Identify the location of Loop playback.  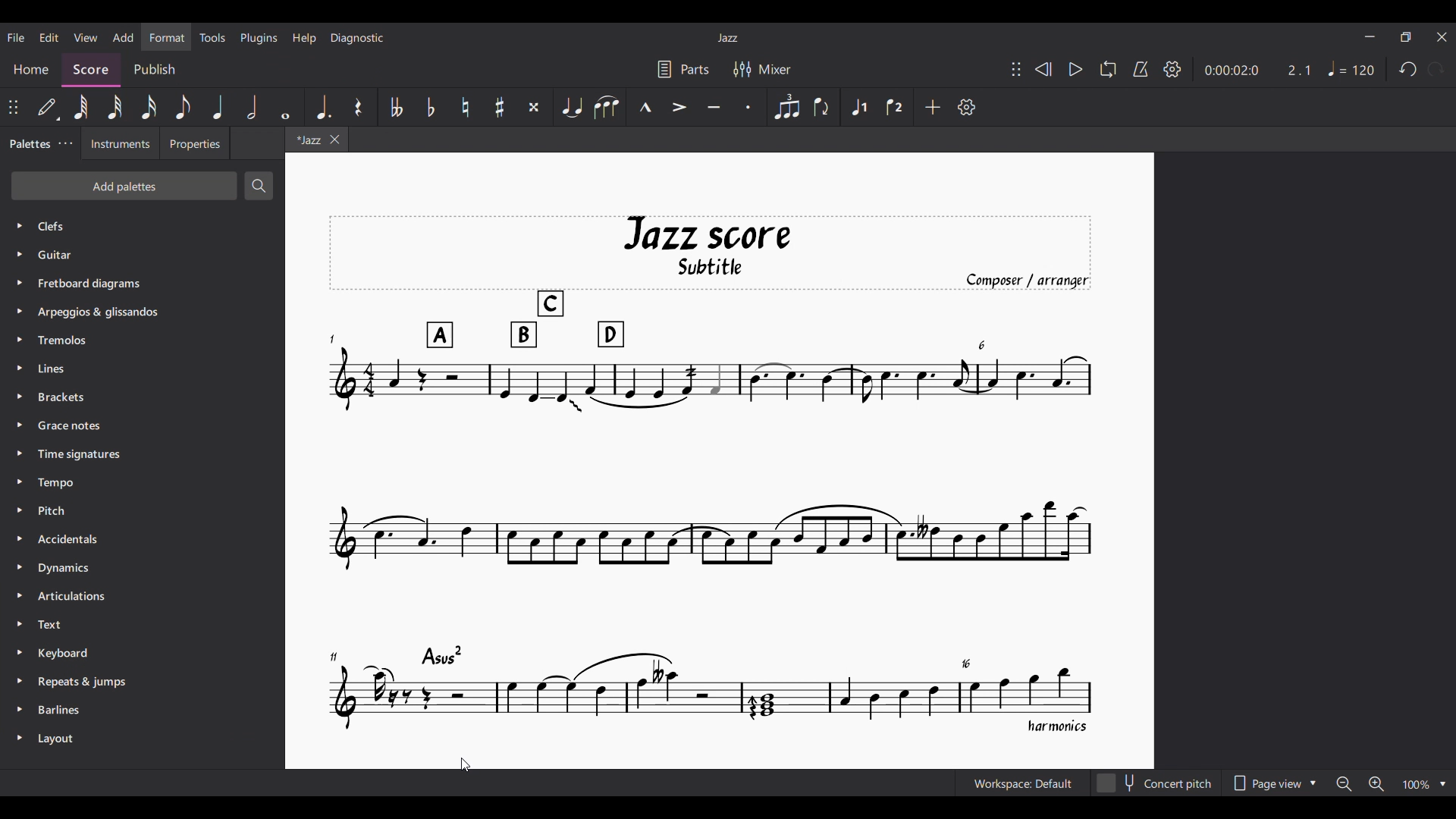
(1107, 68).